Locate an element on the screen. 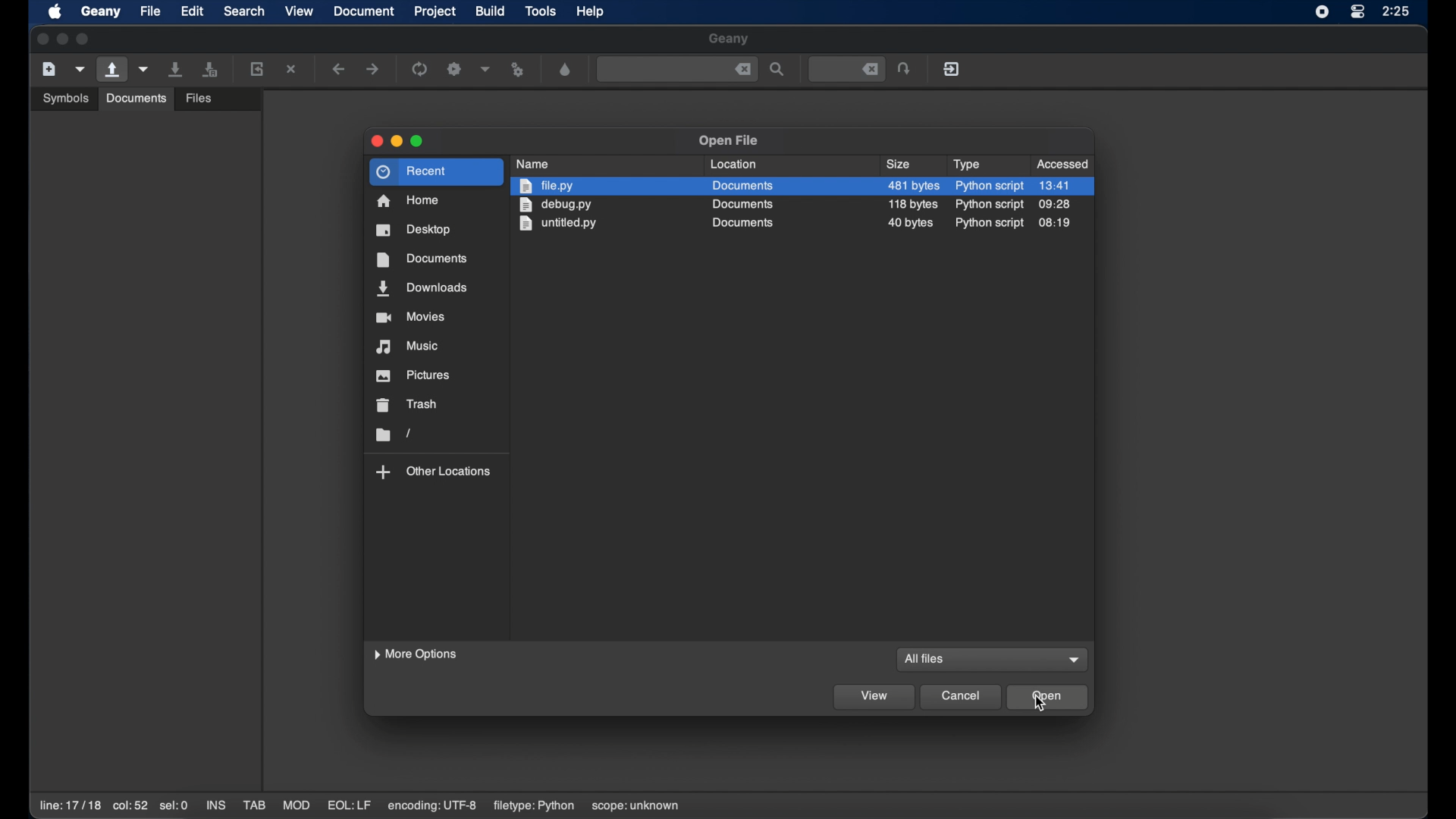 Image resolution: width=1456 pixels, height=819 pixels. pictures is located at coordinates (415, 375).